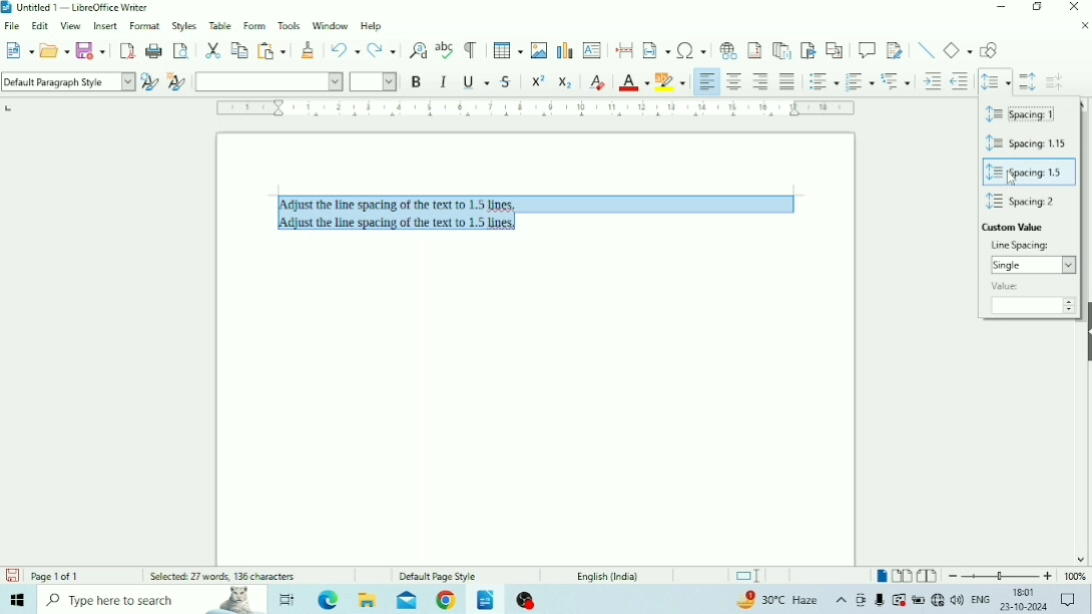 Image resolution: width=1092 pixels, height=614 pixels. I want to click on Table, so click(221, 25).